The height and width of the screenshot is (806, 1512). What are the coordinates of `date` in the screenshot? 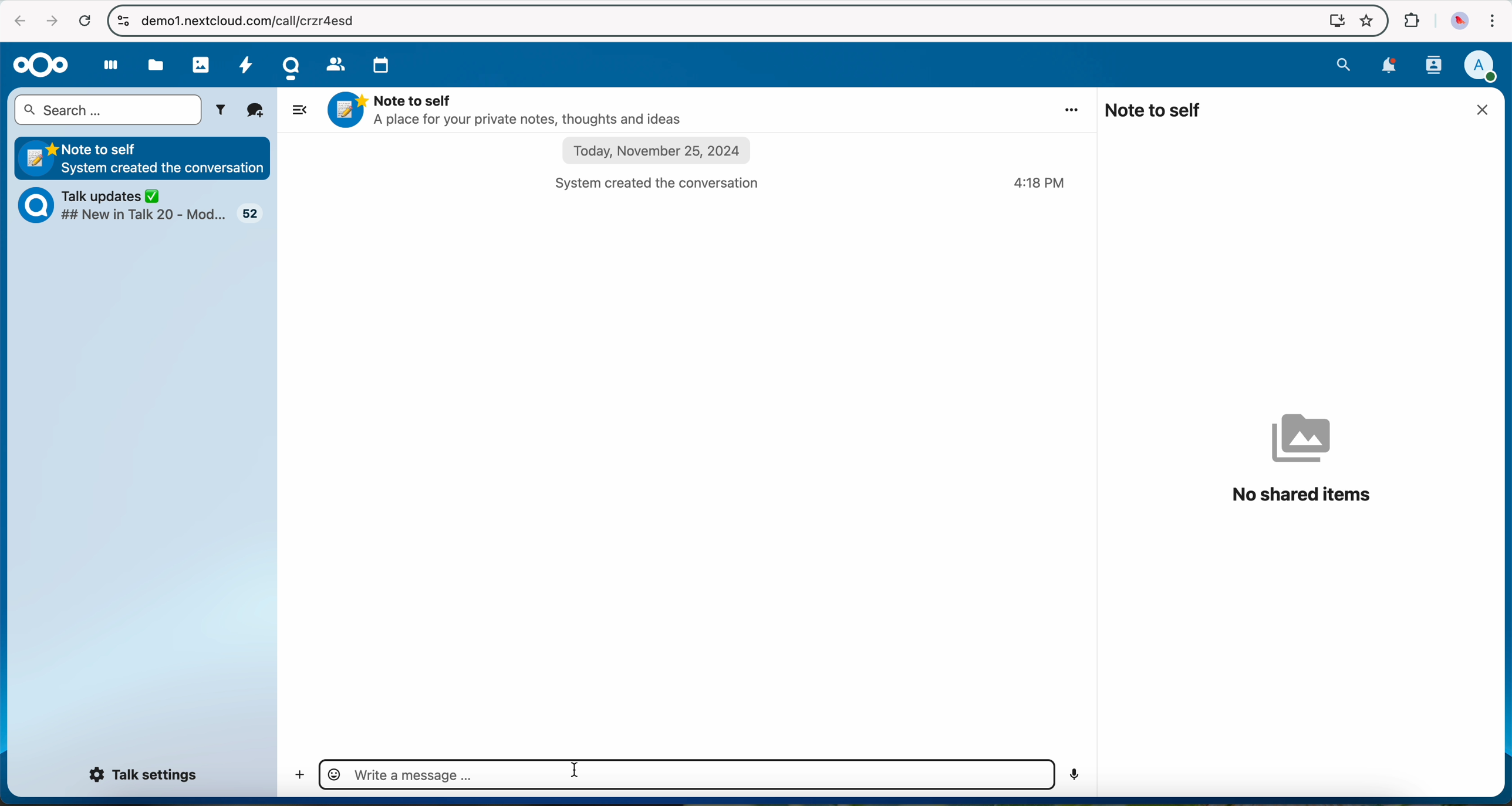 It's located at (659, 152).